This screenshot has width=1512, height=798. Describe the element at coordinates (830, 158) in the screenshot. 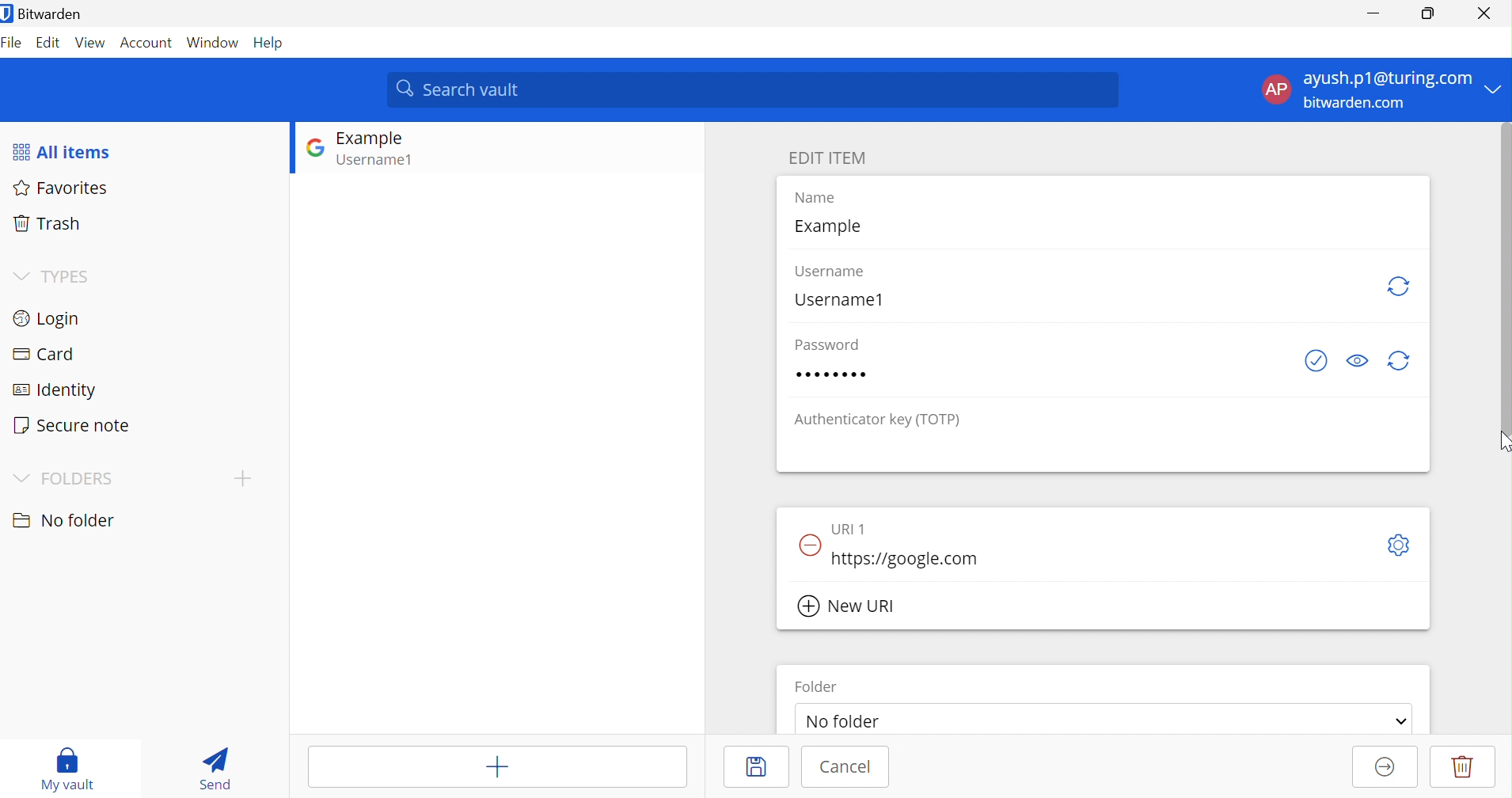

I see `EDIT ITEM` at that location.